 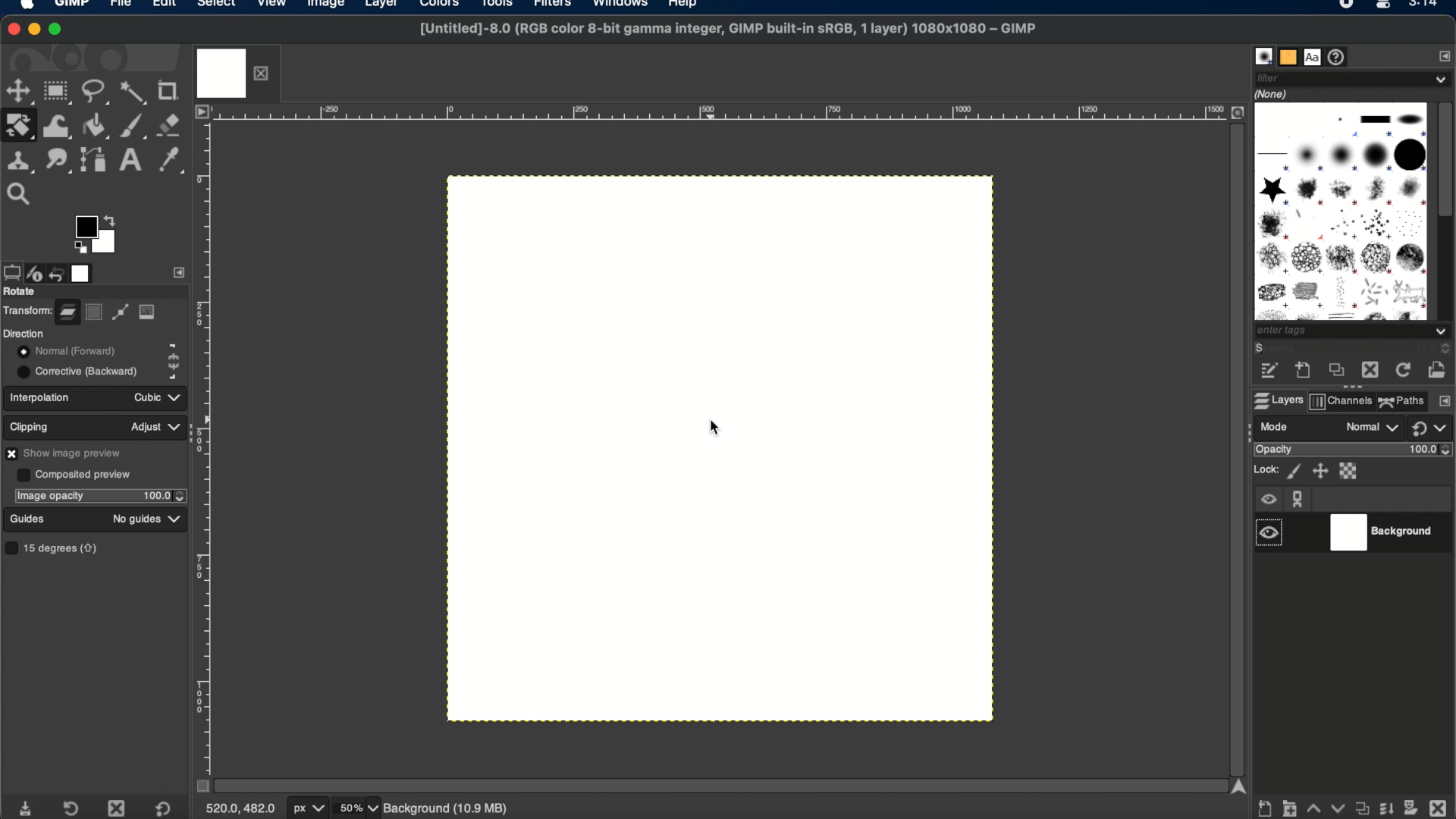 I want to click on margin, so click(x=207, y=444).